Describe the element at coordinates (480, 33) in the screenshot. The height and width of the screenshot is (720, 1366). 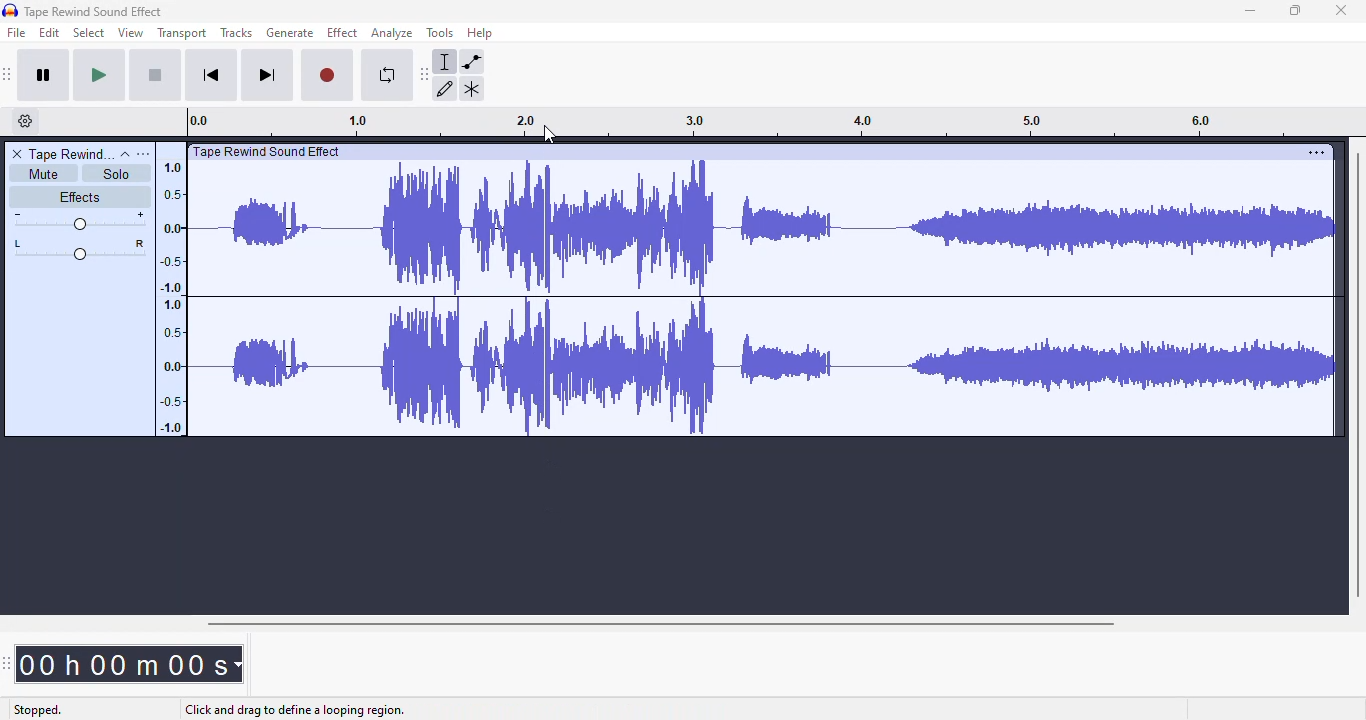
I see `help` at that location.